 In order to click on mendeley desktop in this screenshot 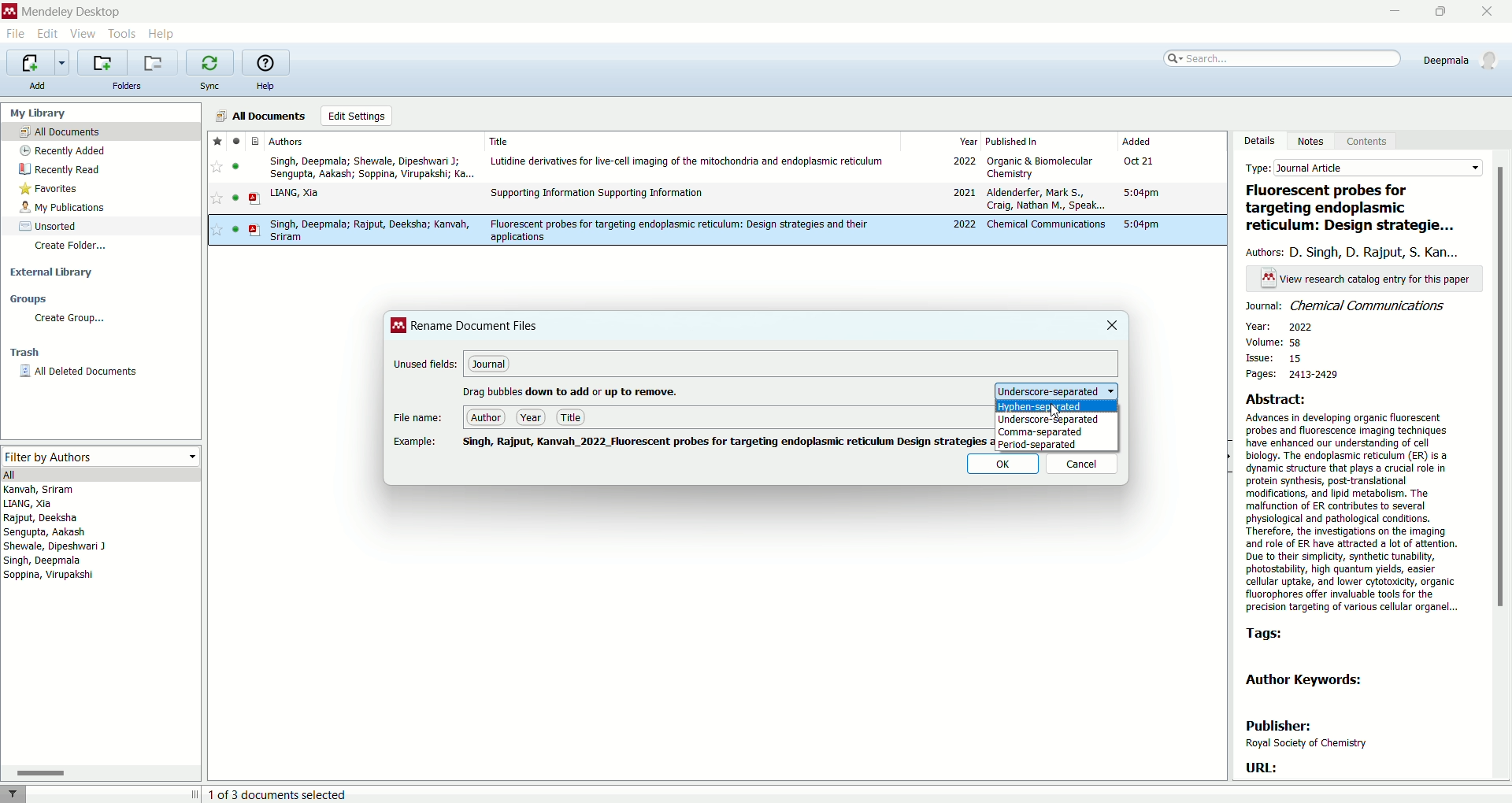, I will do `click(72, 11)`.